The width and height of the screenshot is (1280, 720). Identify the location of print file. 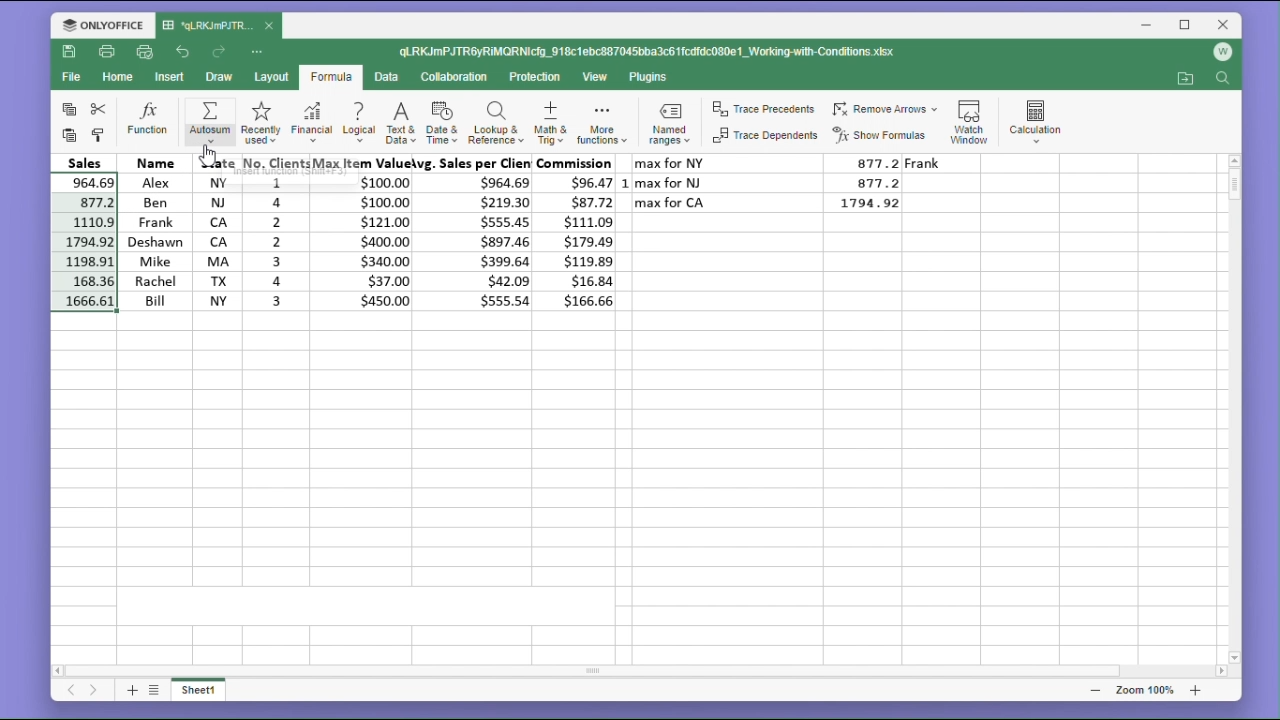
(108, 53).